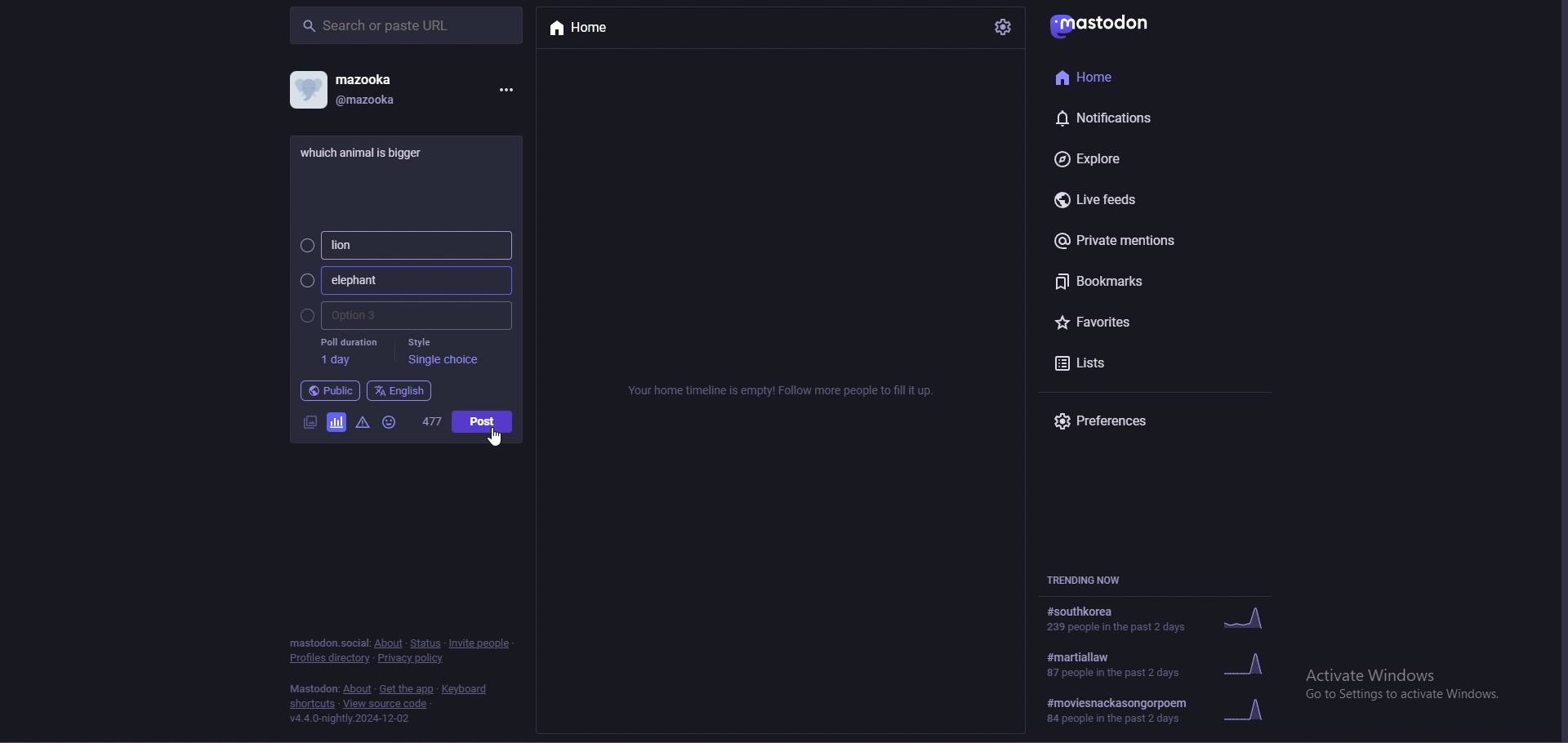 Image resolution: width=1568 pixels, height=743 pixels. What do you see at coordinates (1162, 617) in the screenshot?
I see `trend` at bounding box center [1162, 617].